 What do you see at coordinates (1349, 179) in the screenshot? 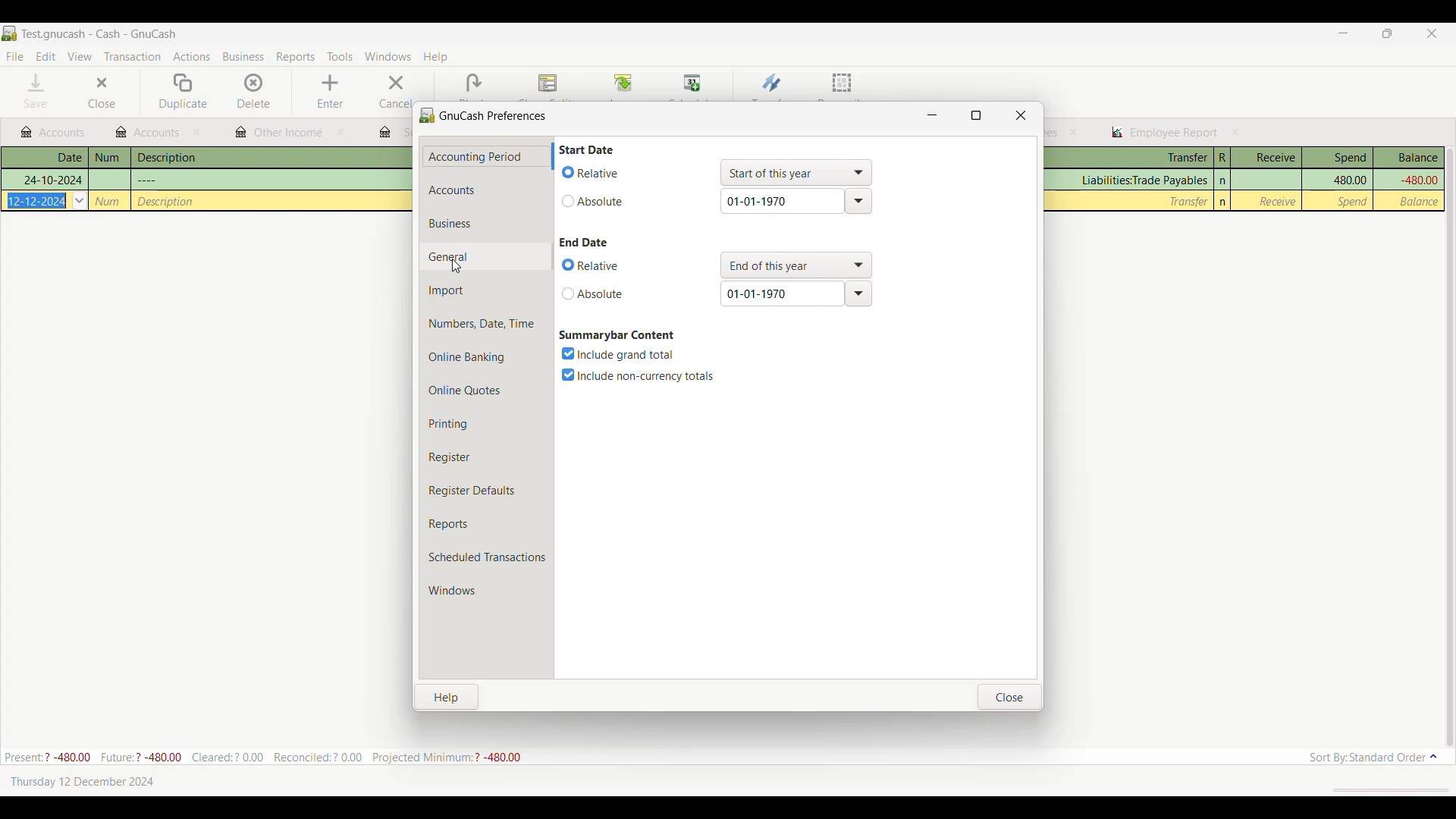
I see `Spend column` at bounding box center [1349, 179].